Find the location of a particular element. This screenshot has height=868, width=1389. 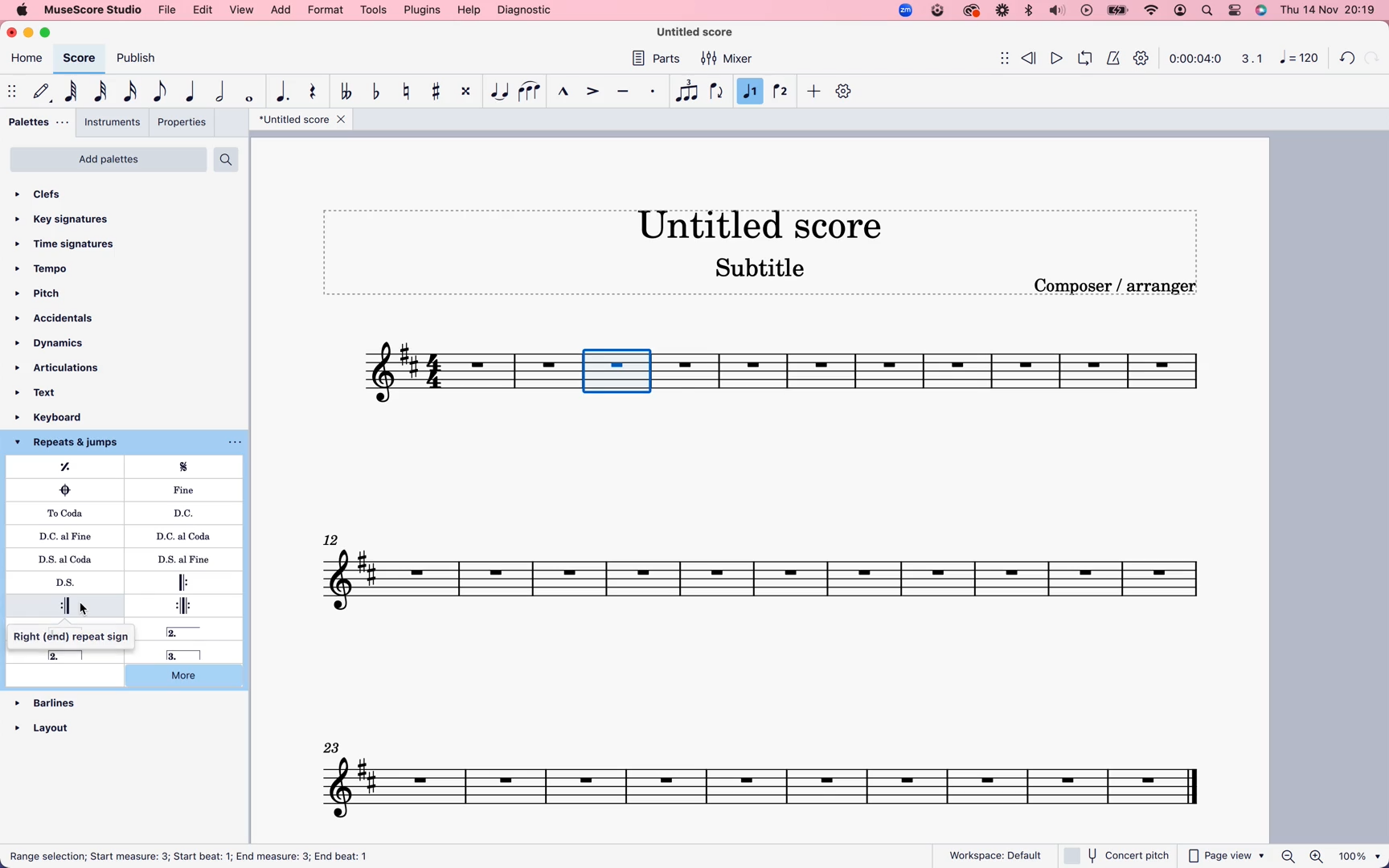

Score is located at coordinates (468, 373).